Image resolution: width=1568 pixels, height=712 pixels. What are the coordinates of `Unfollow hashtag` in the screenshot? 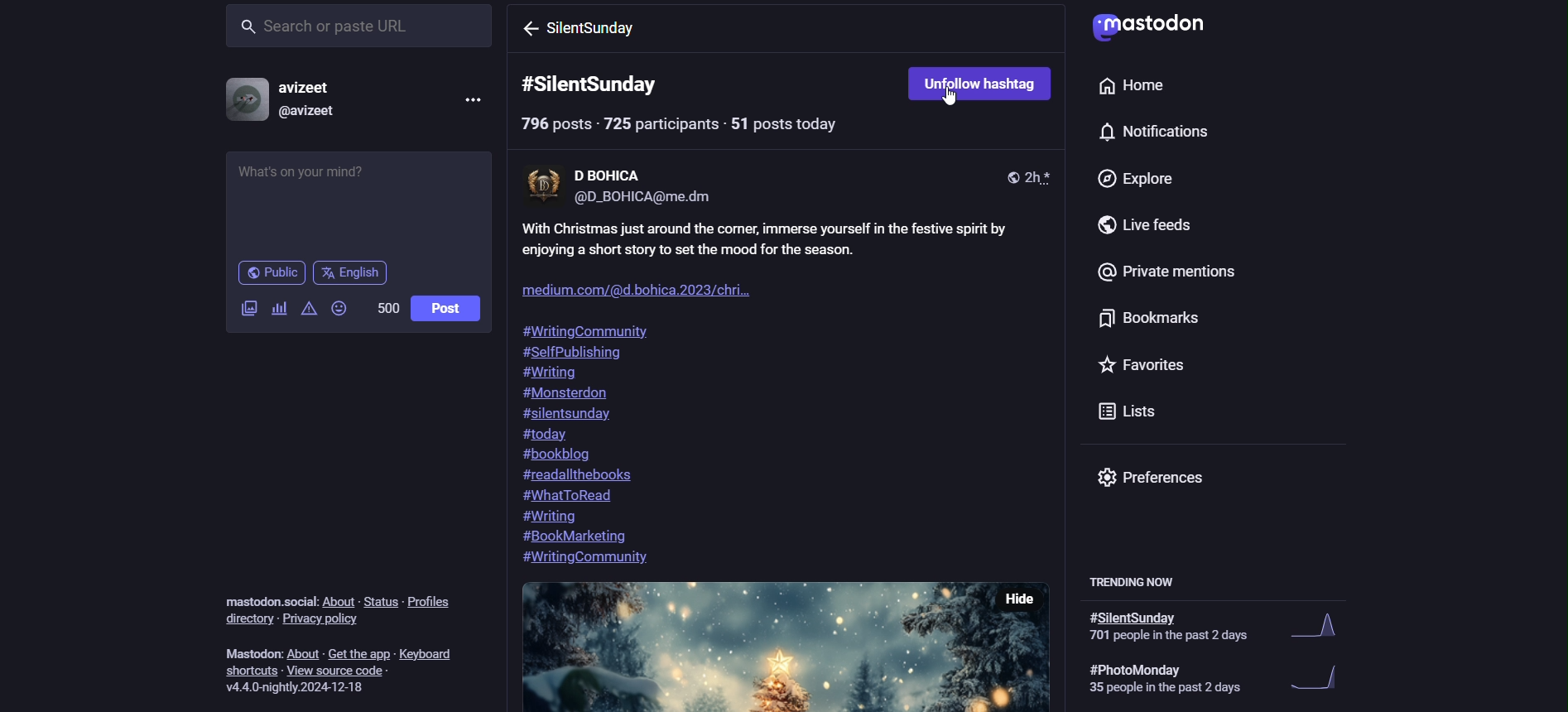 It's located at (981, 84).